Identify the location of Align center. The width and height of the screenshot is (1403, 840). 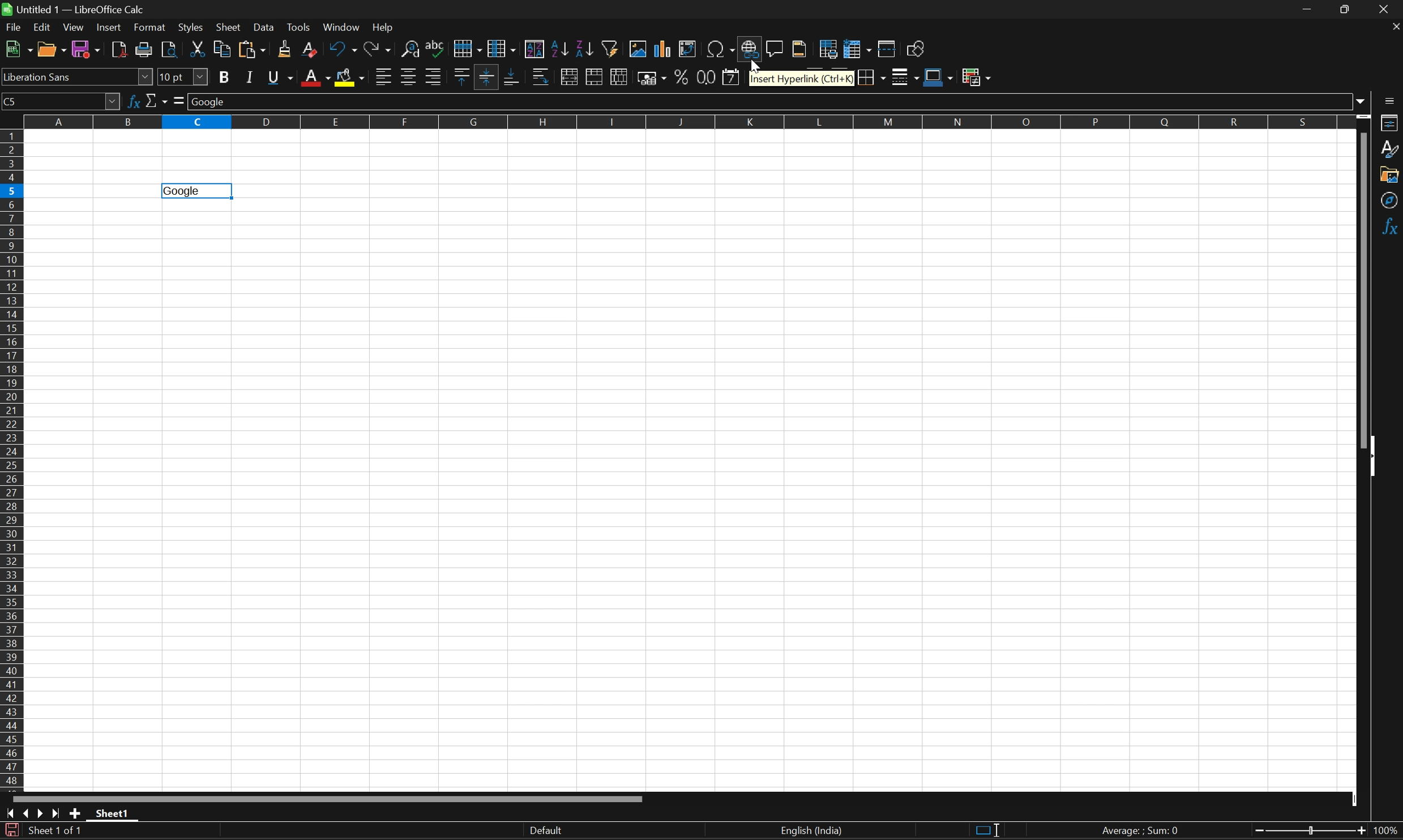
(411, 78).